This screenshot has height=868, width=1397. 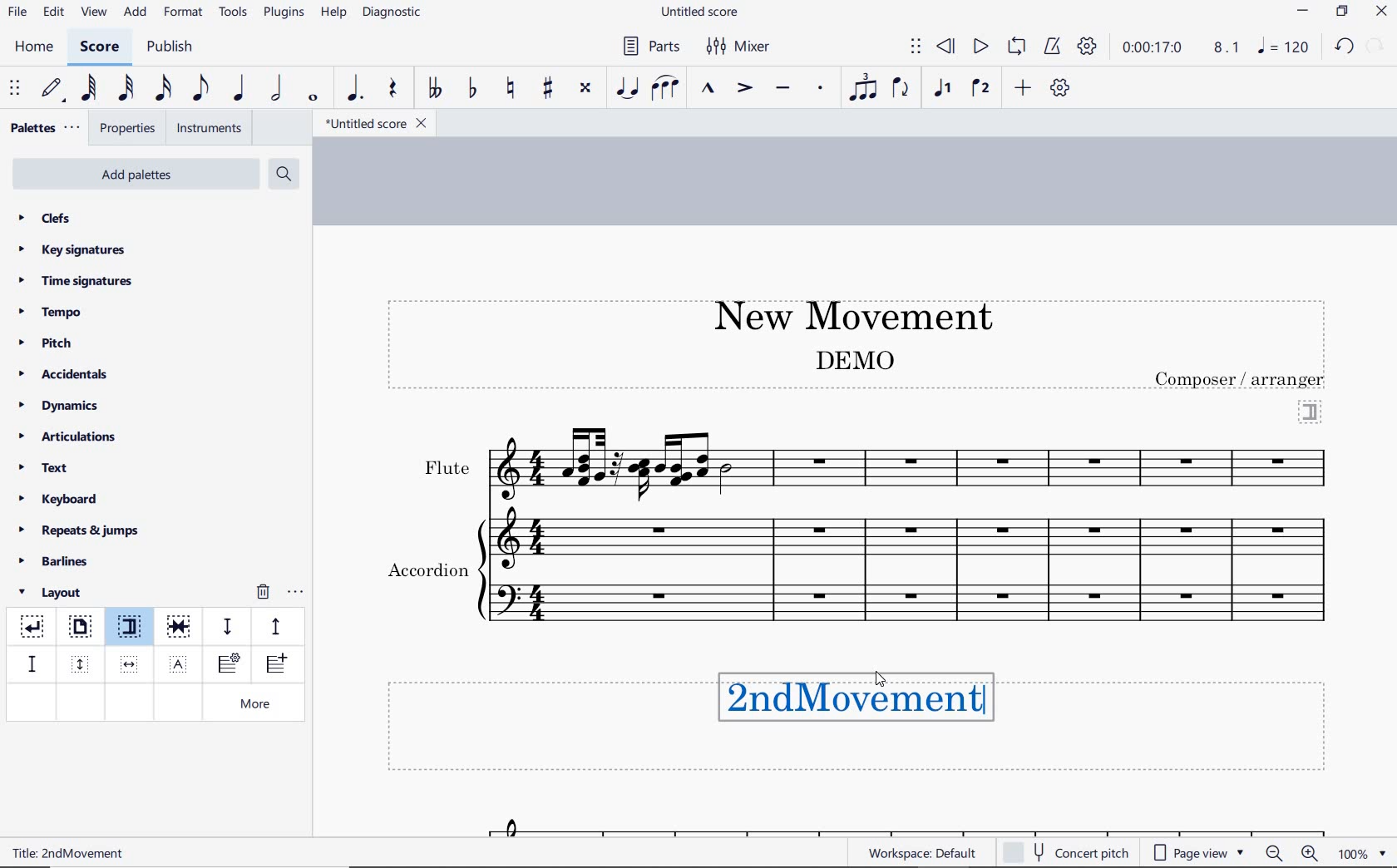 I want to click on clefs, so click(x=46, y=218).